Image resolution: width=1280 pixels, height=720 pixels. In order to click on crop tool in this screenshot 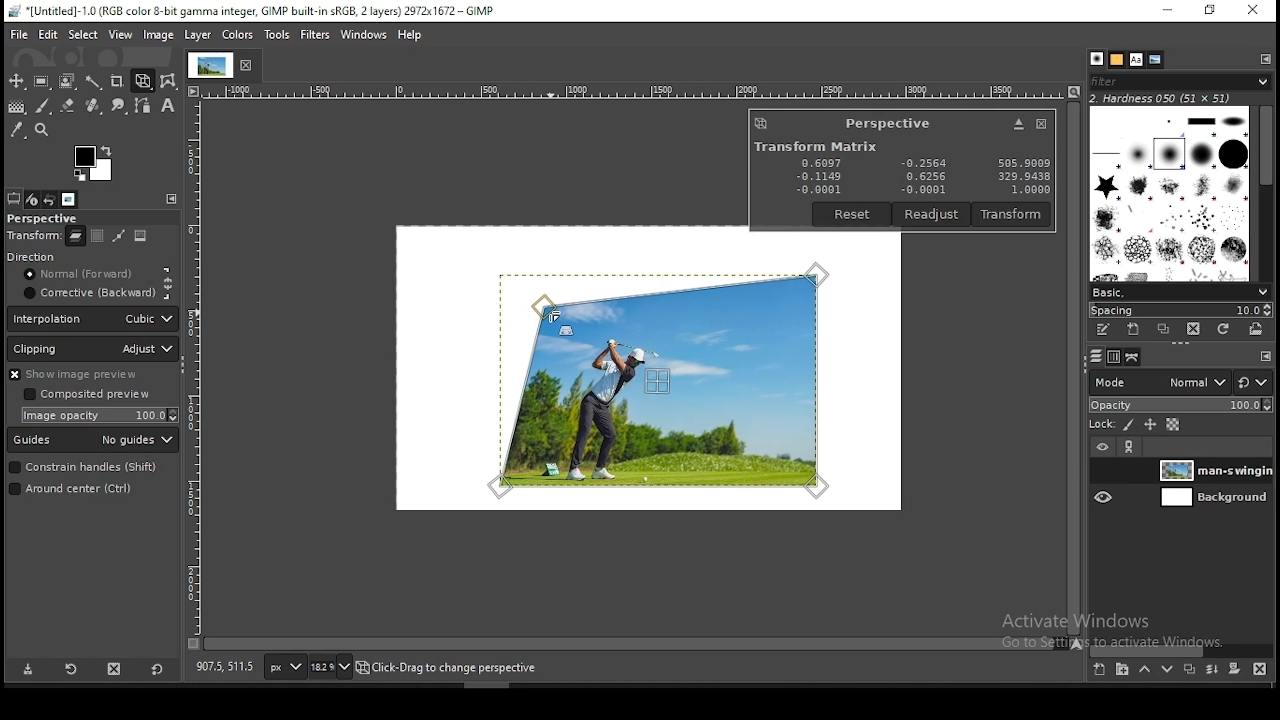, I will do `click(119, 81)`.